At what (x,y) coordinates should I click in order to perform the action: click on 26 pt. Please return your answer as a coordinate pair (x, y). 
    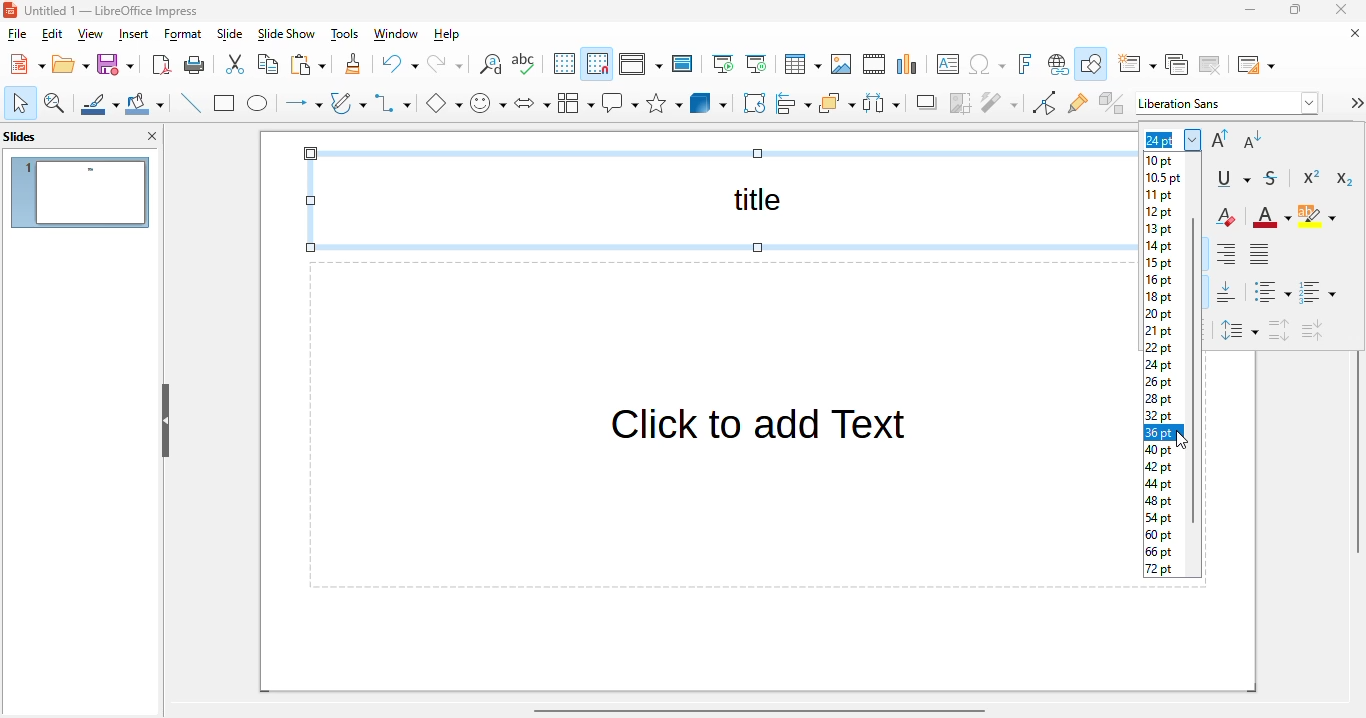
    Looking at the image, I should click on (1160, 382).